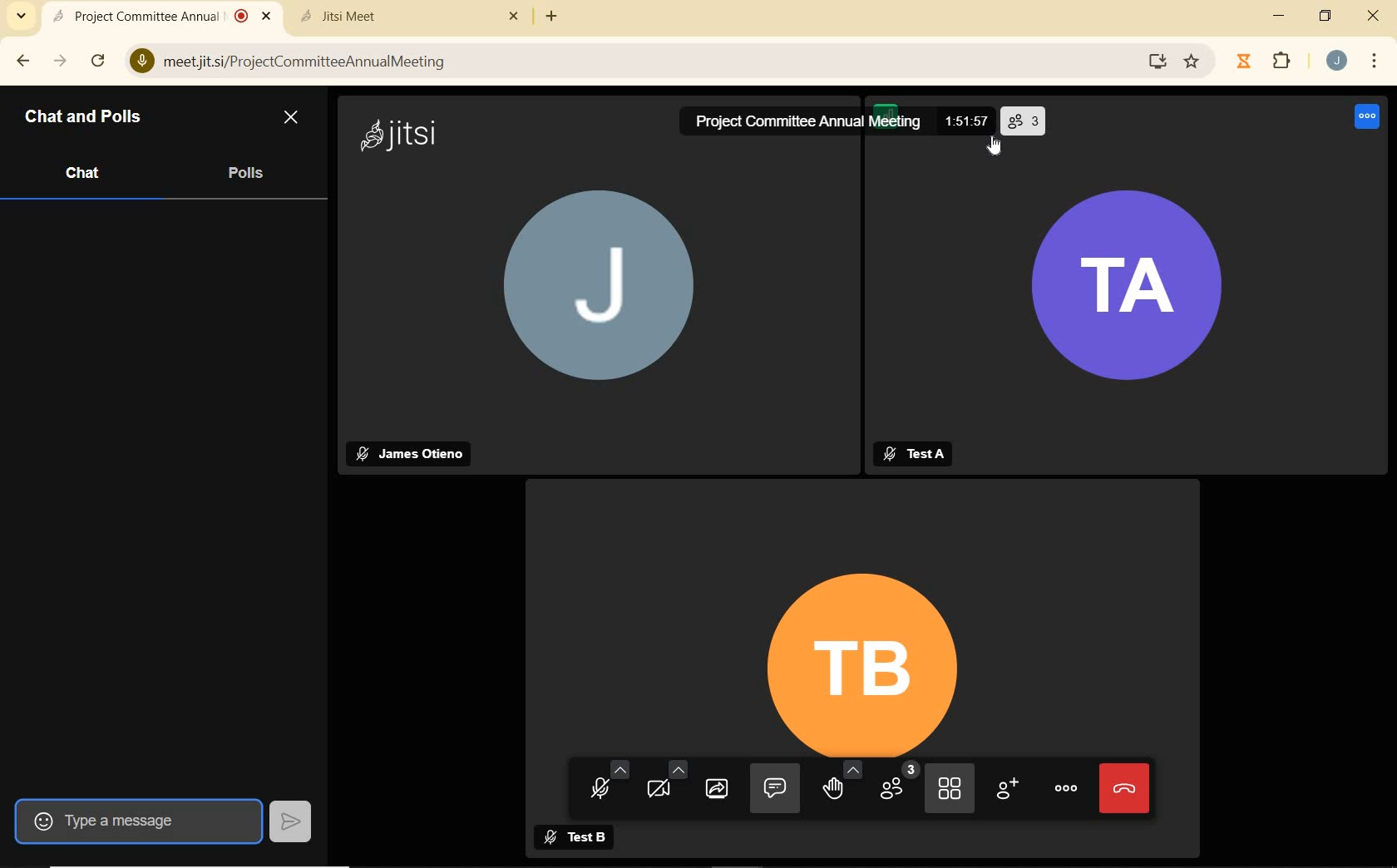  I want to click on type a message, so click(138, 821).